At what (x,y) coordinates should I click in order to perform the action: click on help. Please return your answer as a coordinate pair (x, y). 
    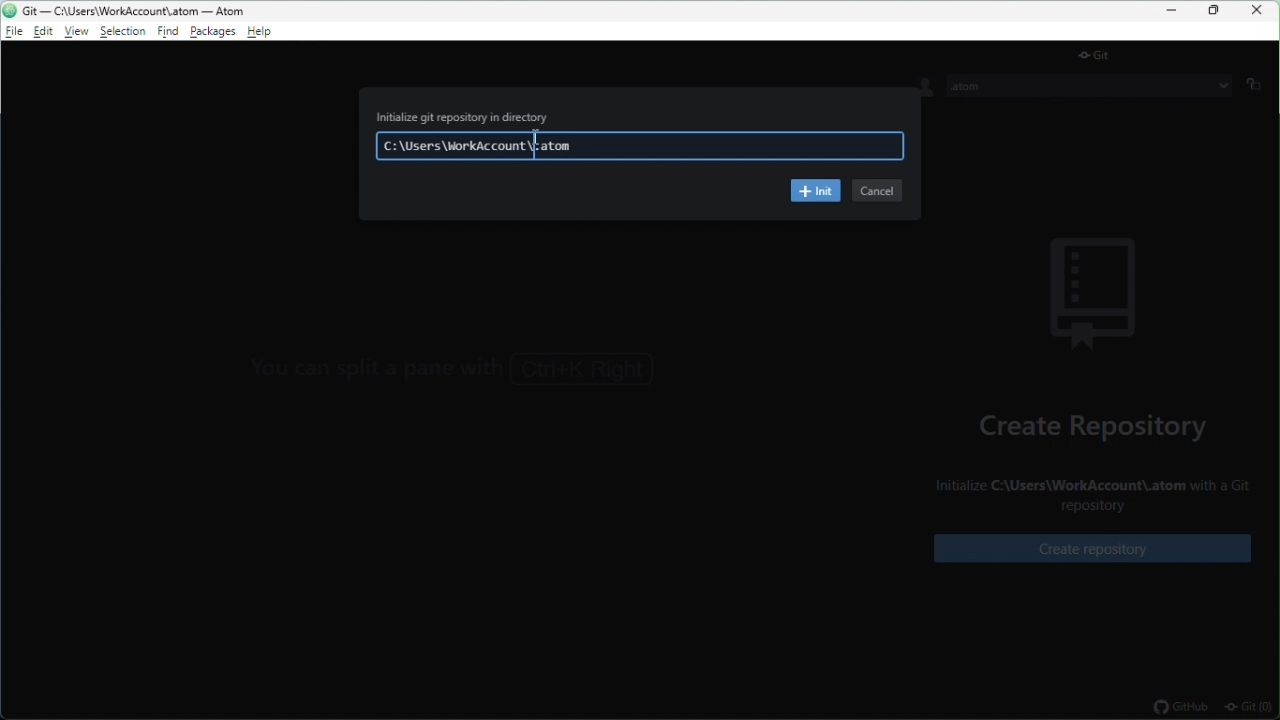
    Looking at the image, I should click on (260, 32).